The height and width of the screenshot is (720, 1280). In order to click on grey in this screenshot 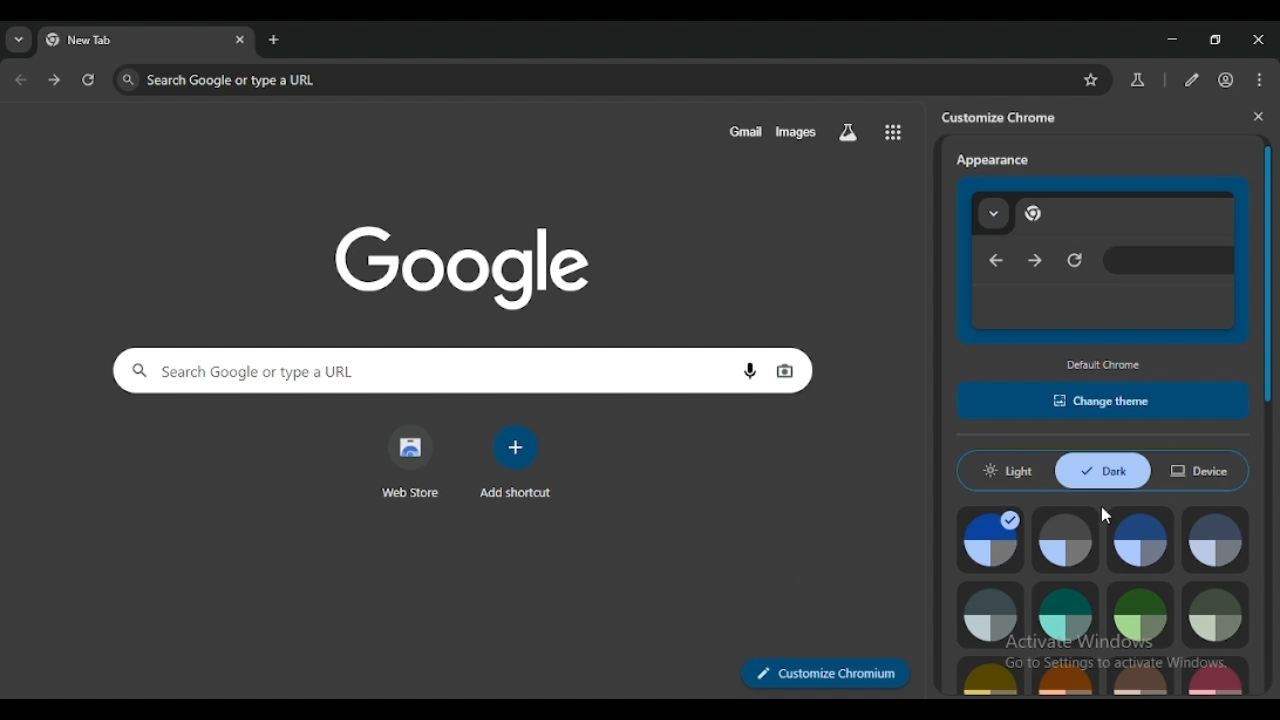, I will do `click(993, 615)`.